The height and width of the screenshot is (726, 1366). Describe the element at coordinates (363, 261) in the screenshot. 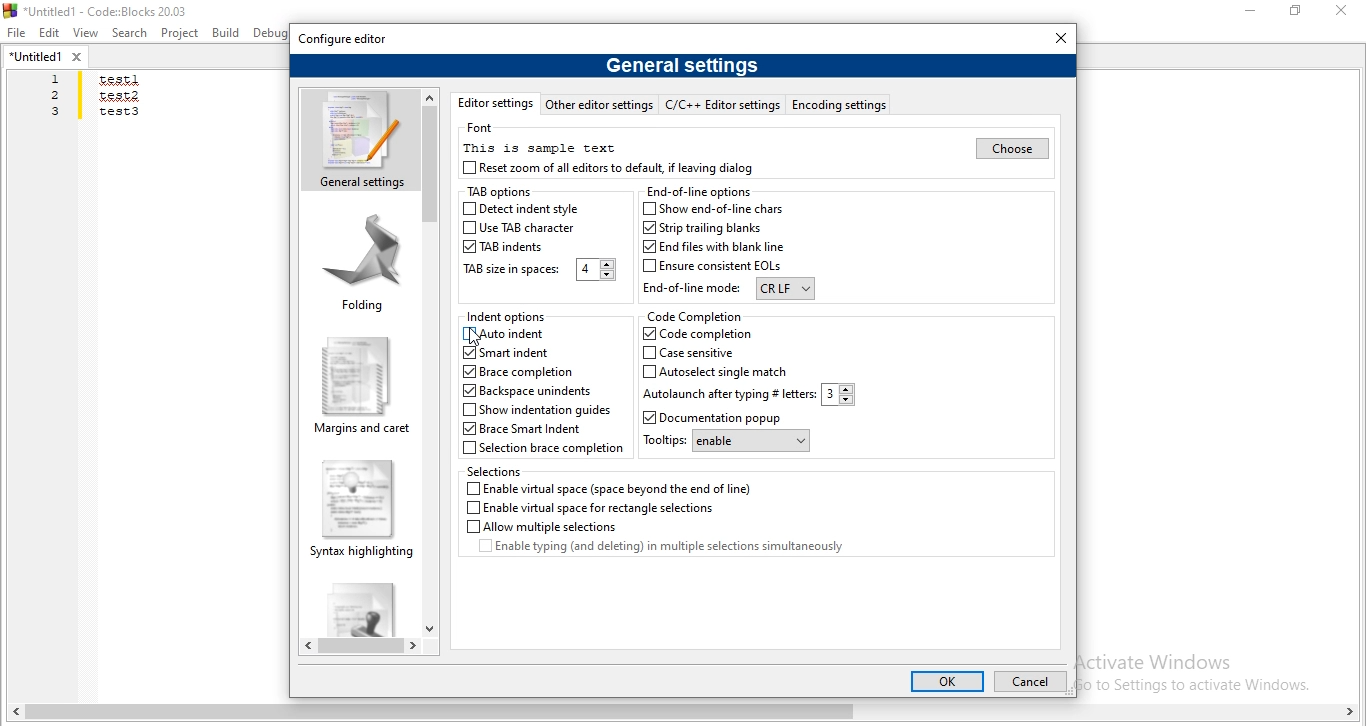

I see `folding ` at that location.